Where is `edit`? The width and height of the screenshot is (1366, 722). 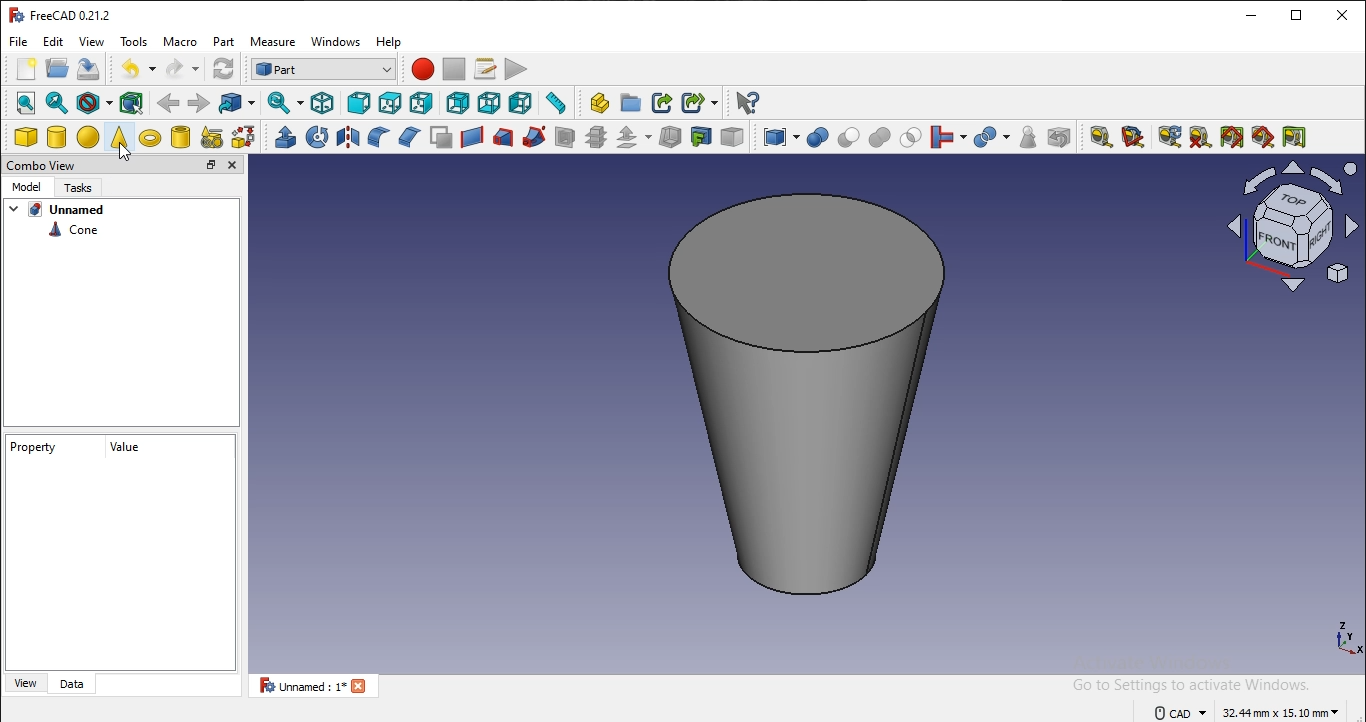
edit is located at coordinates (54, 41).